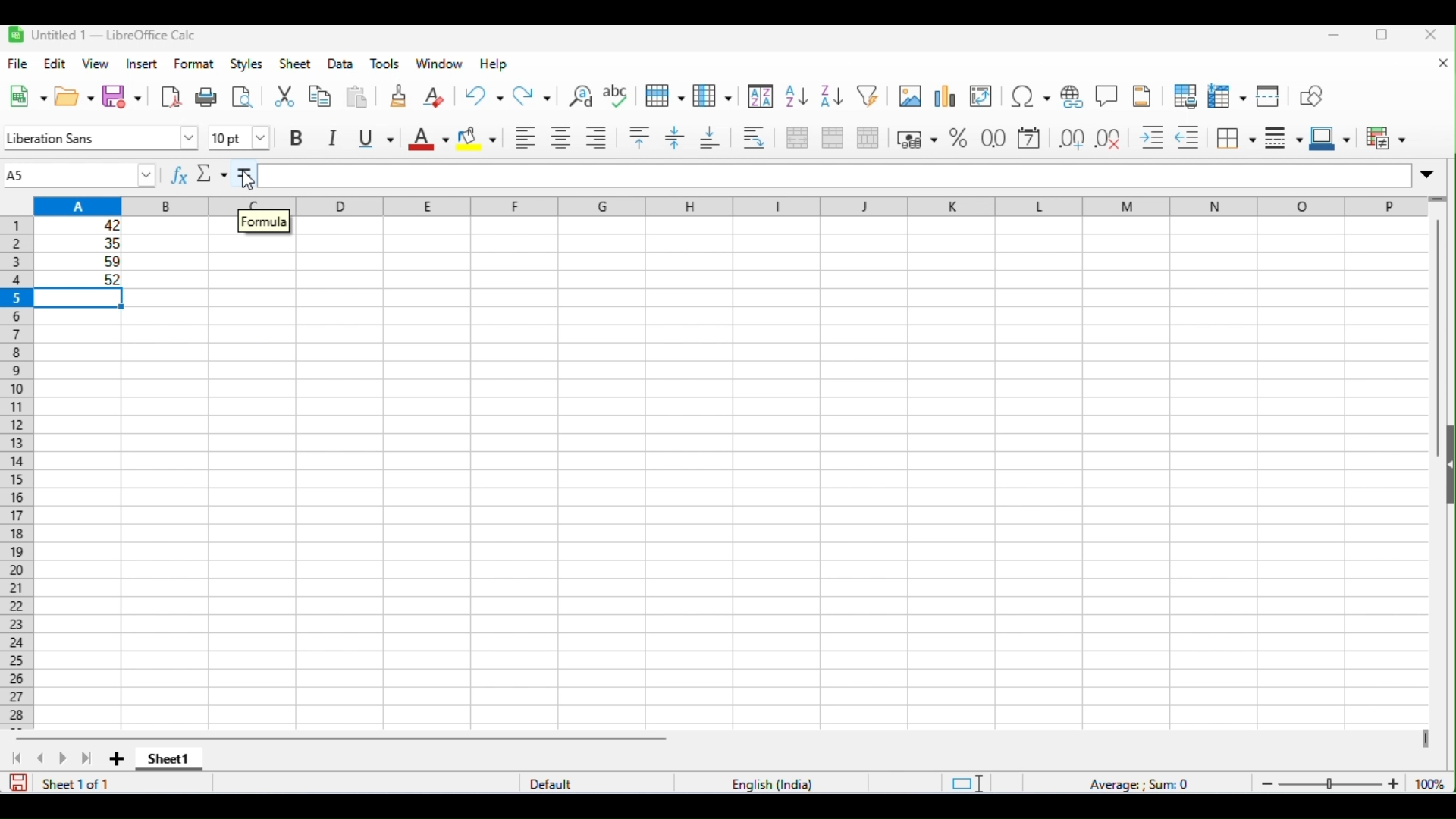 Image resolution: width=1456 pixels, height=819 pixels. I want to click on undo, so click(483, 94).